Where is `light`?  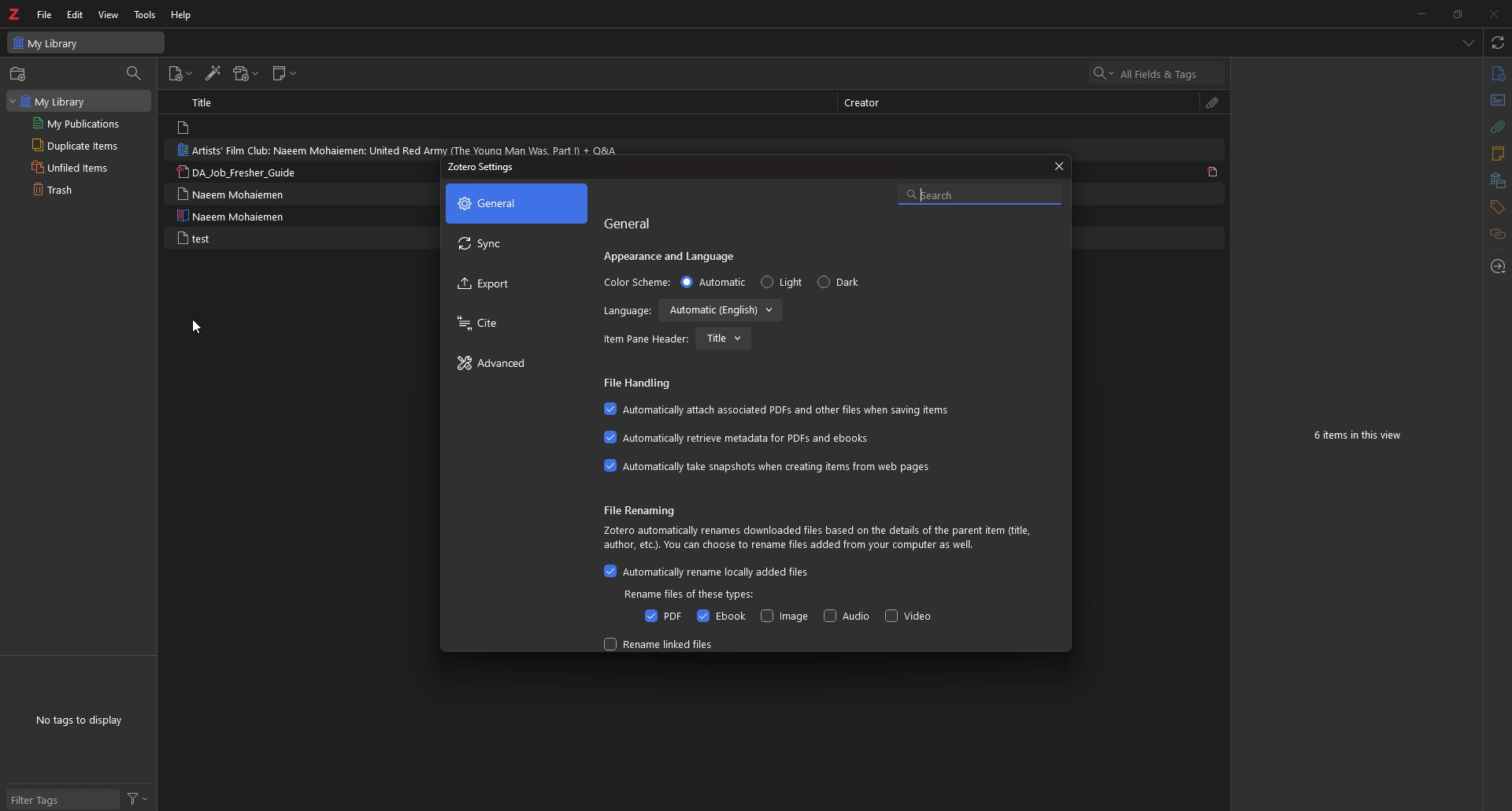 light is located at coordinates (781, 283).